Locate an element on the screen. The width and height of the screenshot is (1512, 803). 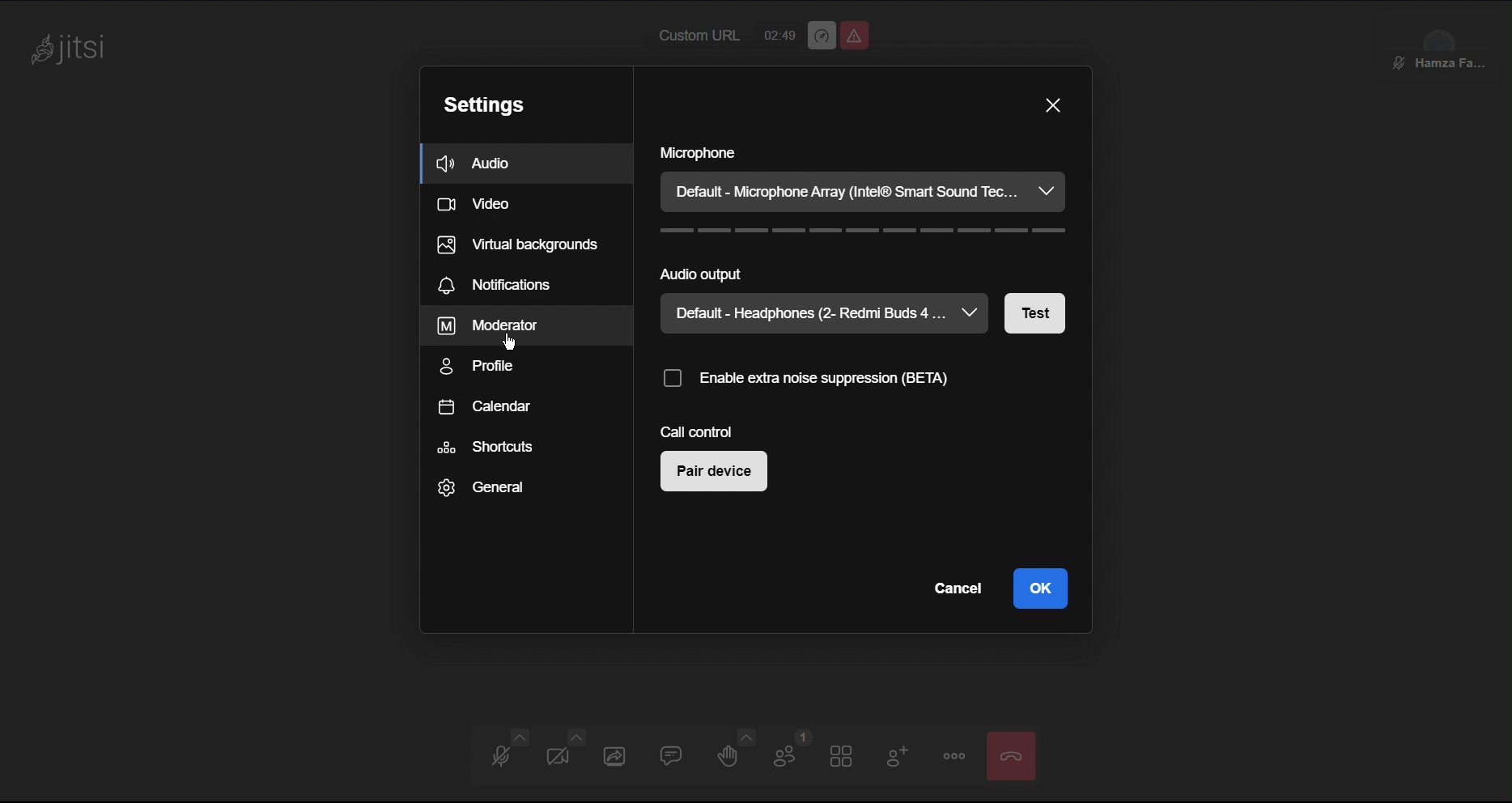
Virtual backgrounds is located at coordinates (516, 243).